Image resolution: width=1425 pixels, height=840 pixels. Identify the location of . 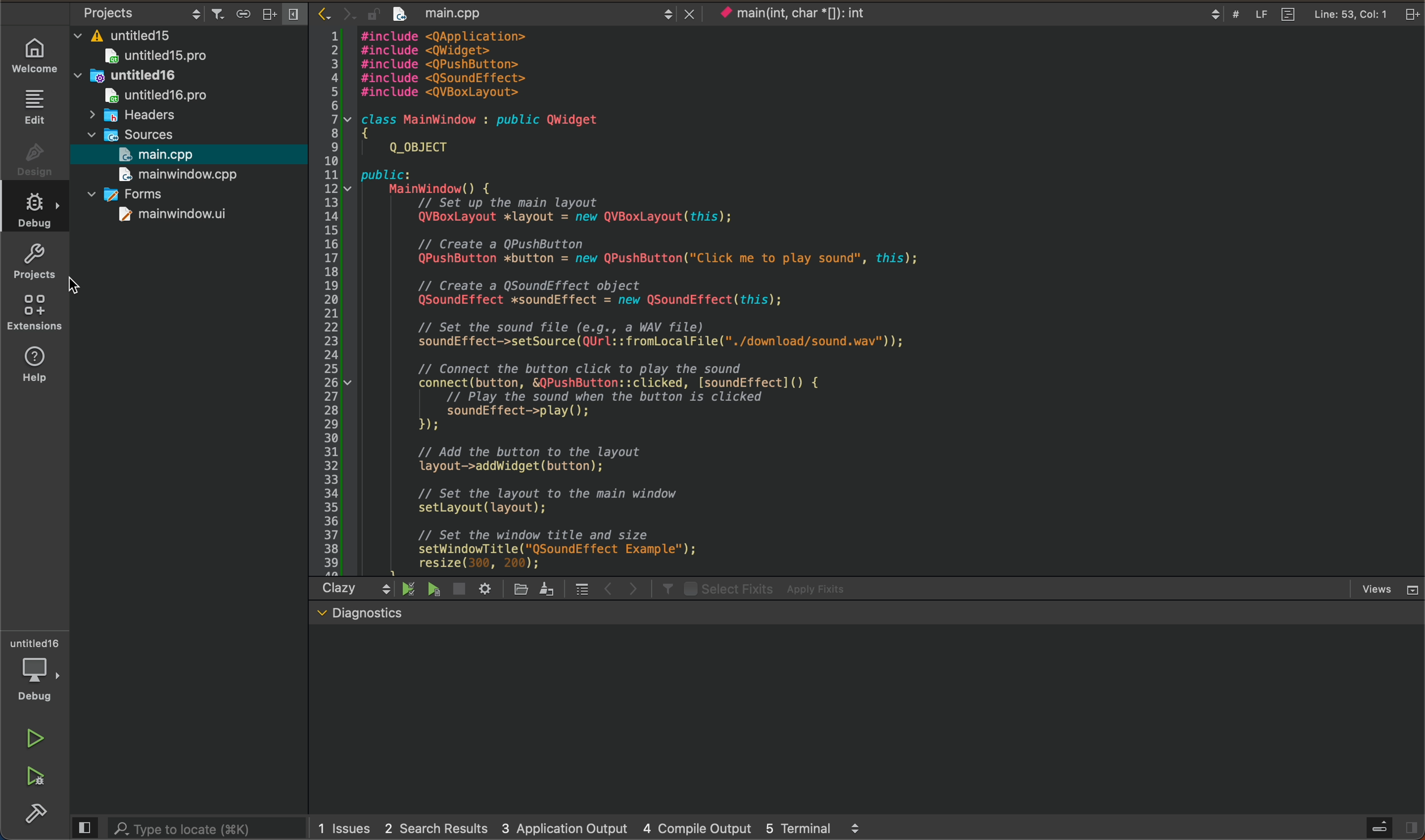
(176, 174).